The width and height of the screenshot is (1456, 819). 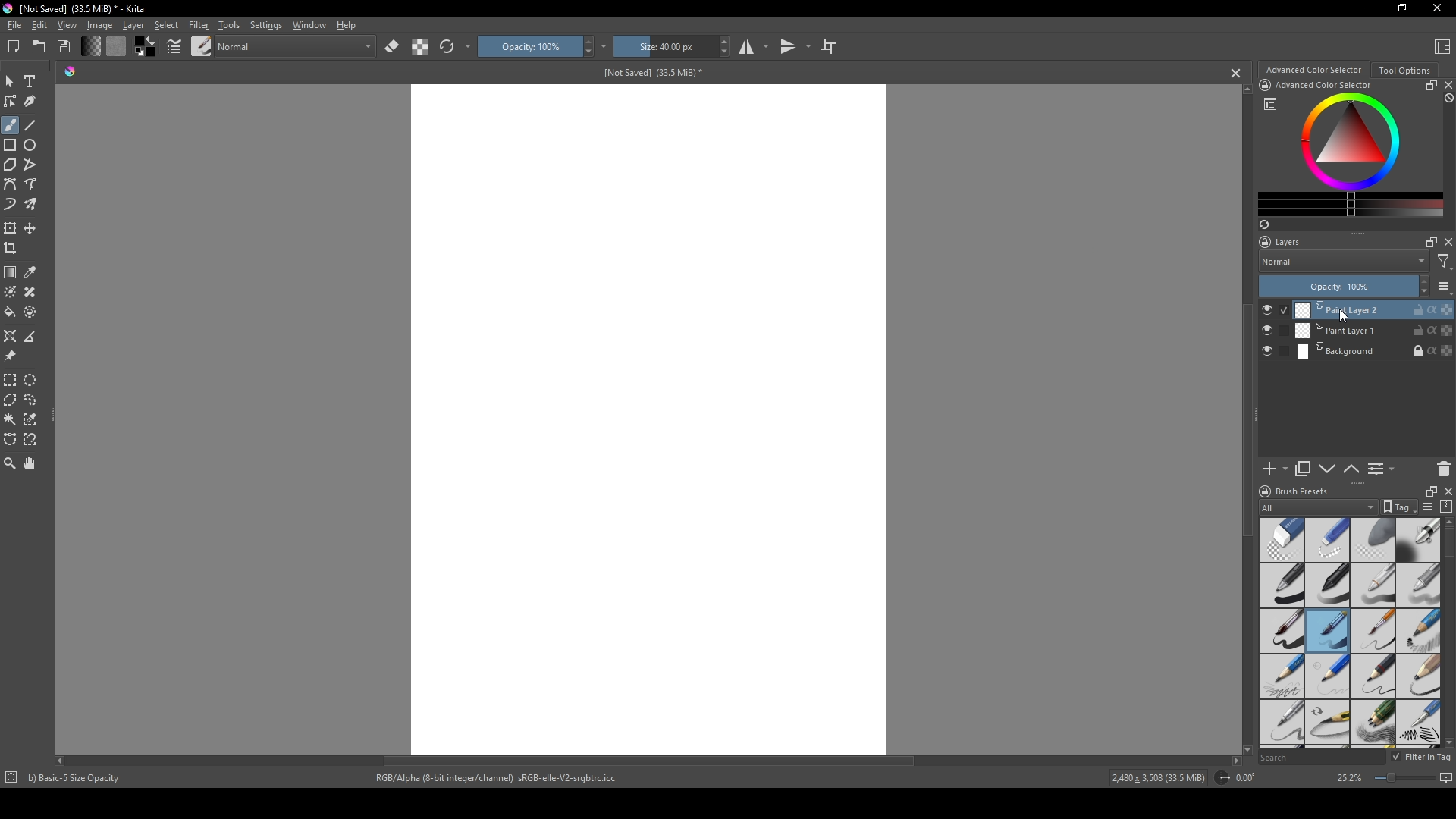 I want to click on icon, so click(x=1264, y=85).